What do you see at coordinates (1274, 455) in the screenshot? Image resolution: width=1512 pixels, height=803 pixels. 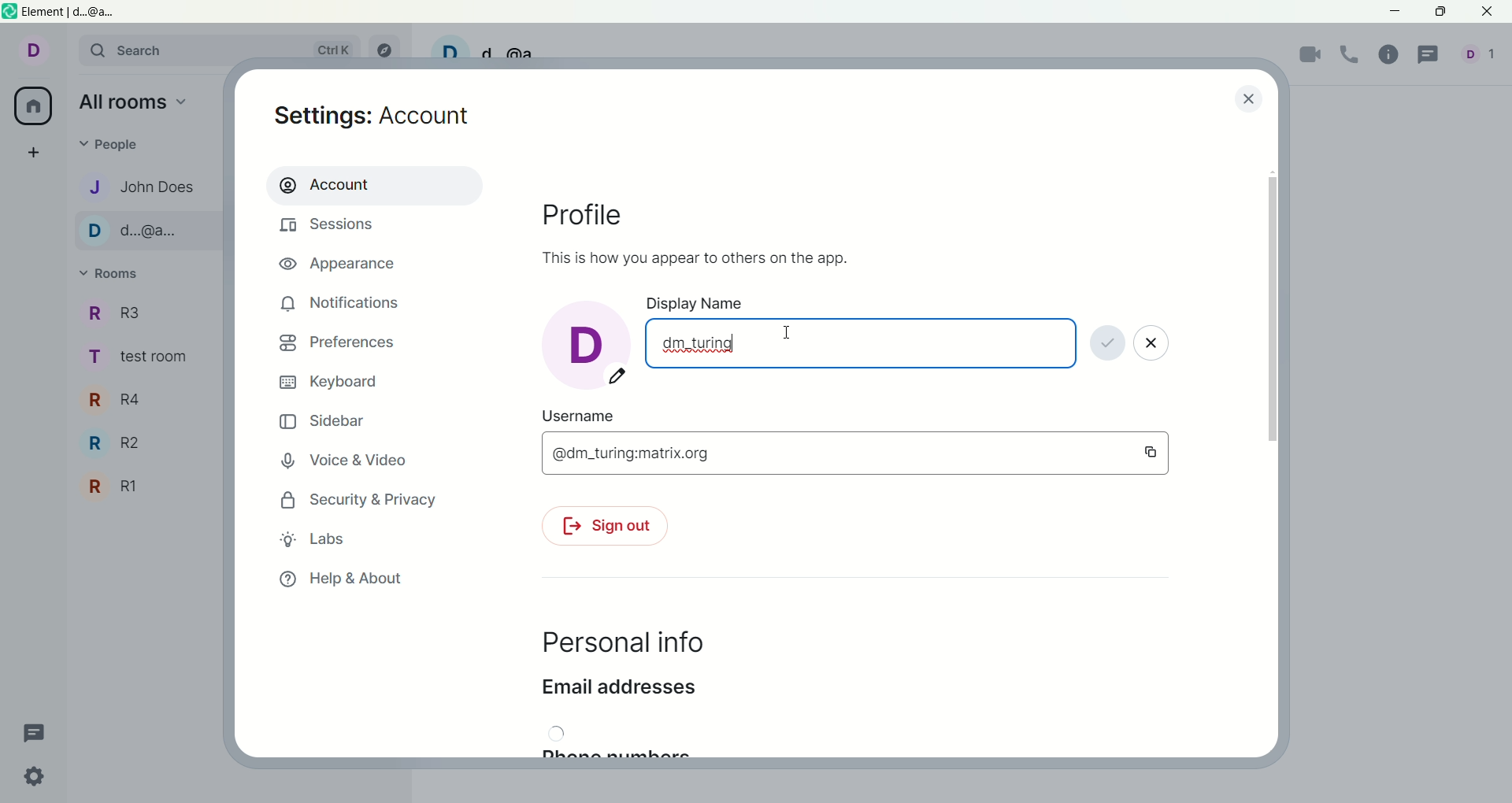 I see `vertical scroll bar` at bounding box center [1274, 455].